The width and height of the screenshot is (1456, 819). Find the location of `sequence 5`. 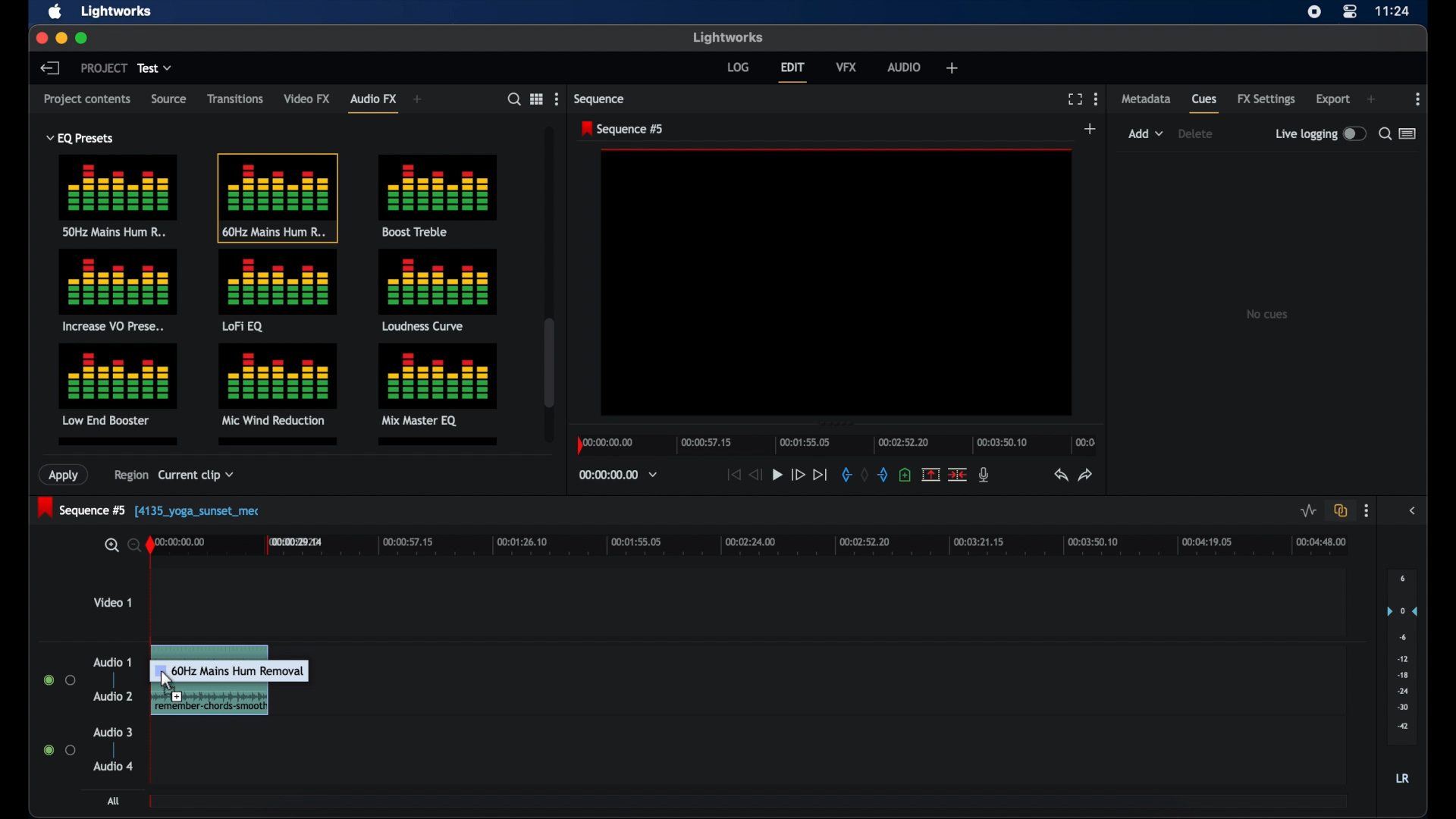

sequence 5 is located at coordinates (150, 509).